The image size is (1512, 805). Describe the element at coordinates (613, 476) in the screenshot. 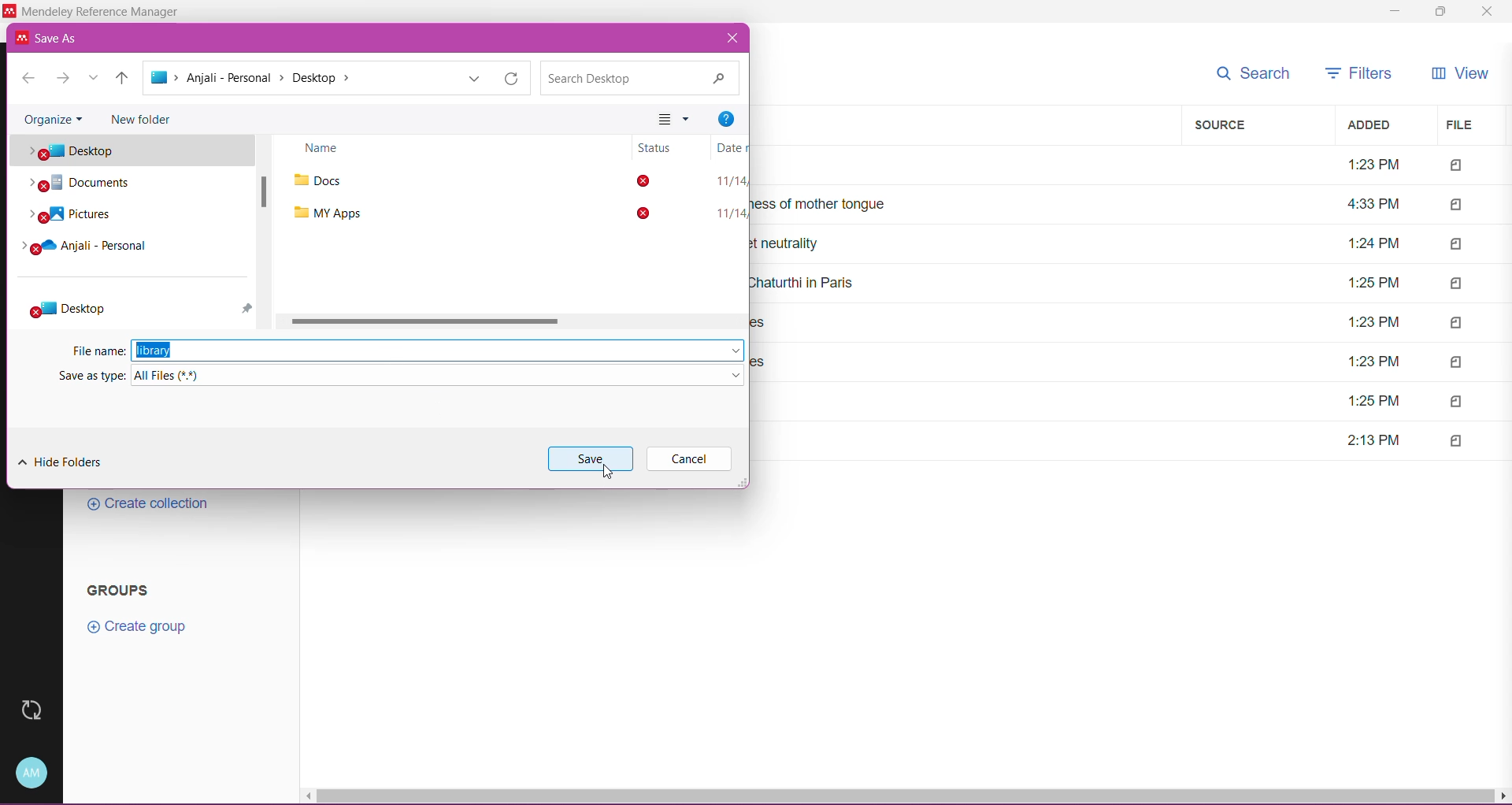

I see `cursor` at that location.